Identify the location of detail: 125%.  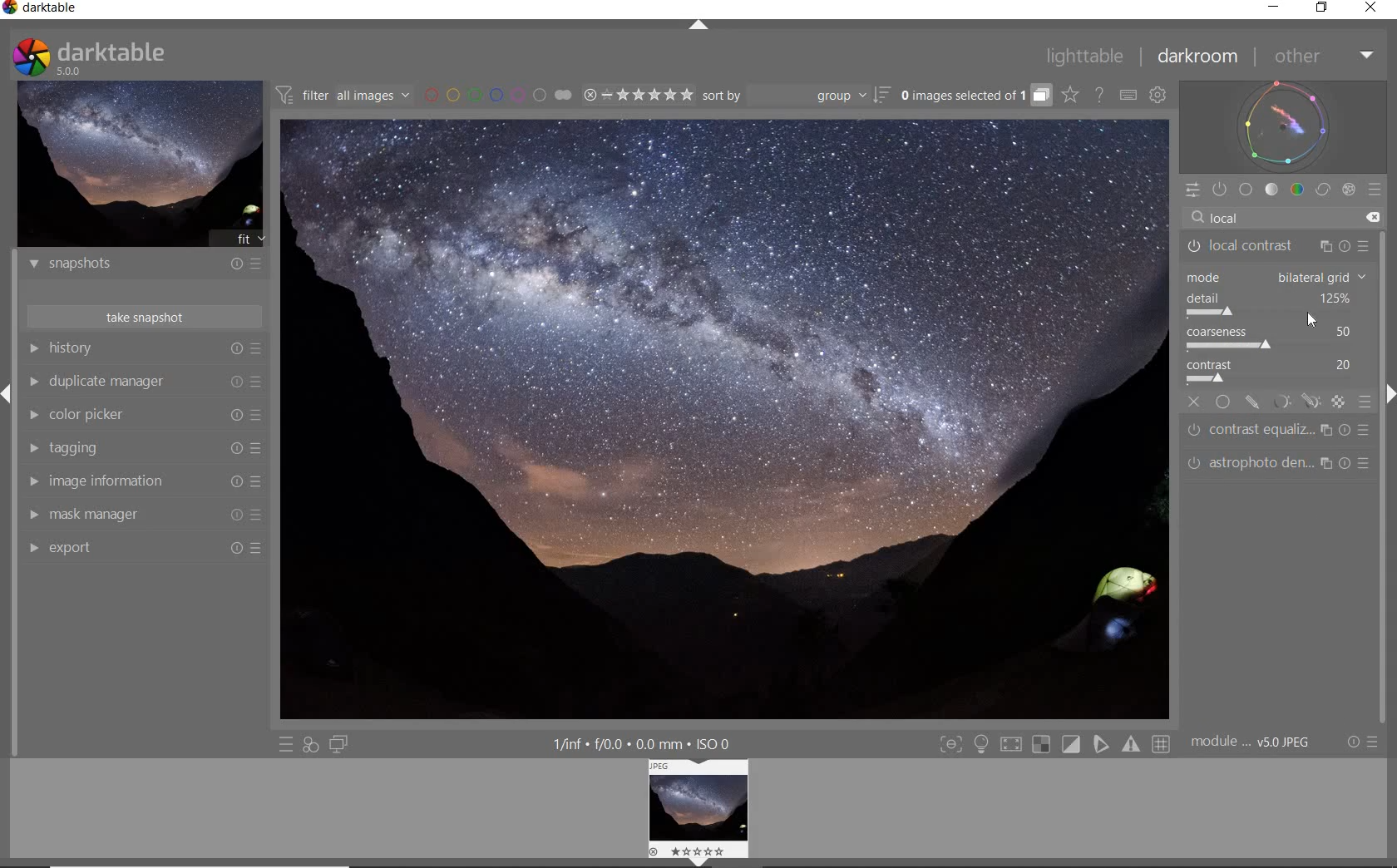
(1268, 296).